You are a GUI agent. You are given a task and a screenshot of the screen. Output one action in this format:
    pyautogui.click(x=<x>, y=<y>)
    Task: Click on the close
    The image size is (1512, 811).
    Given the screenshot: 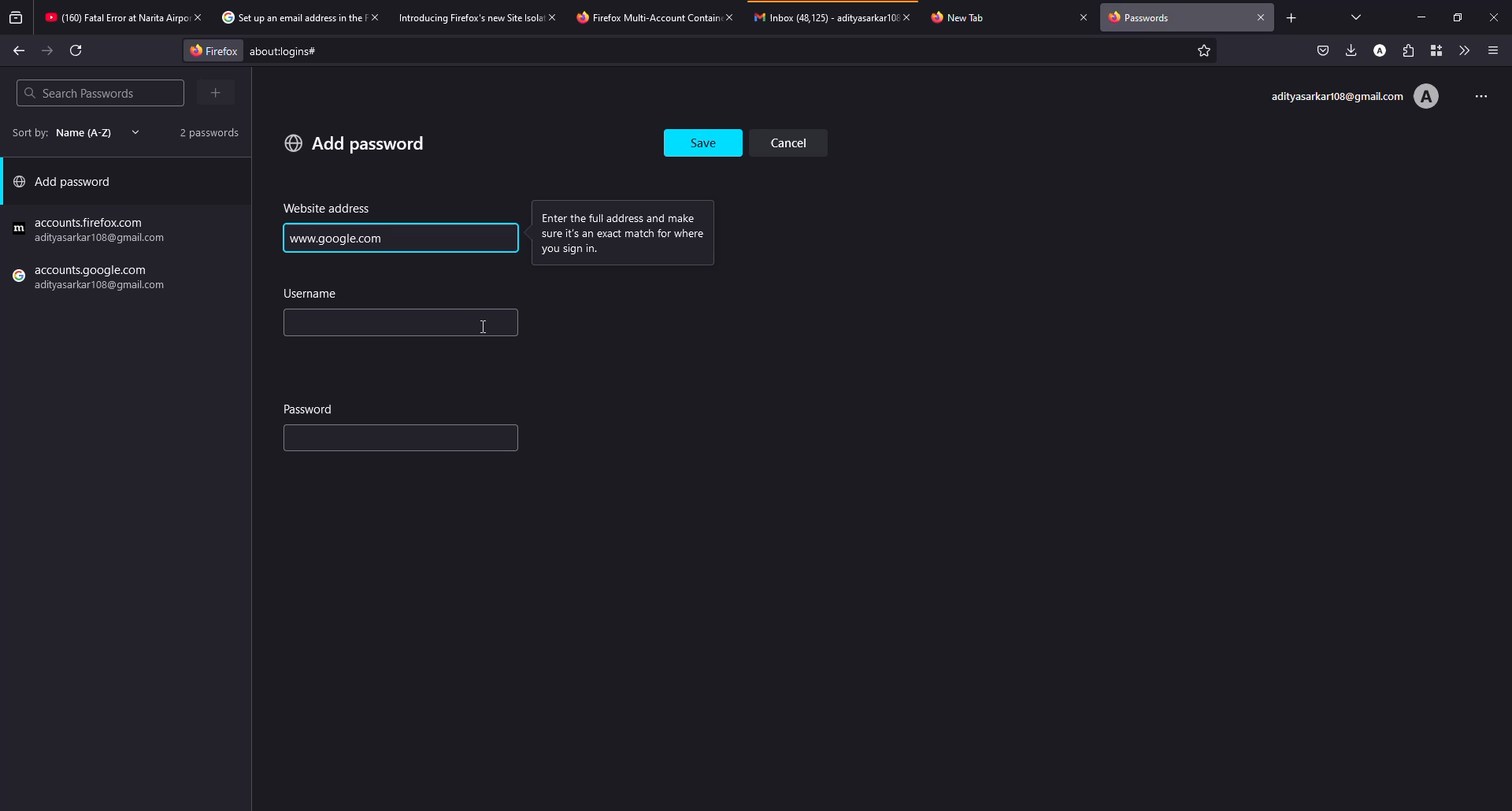 What is the action you would take?
    pyautogui.click(x=1262, y=16)
    